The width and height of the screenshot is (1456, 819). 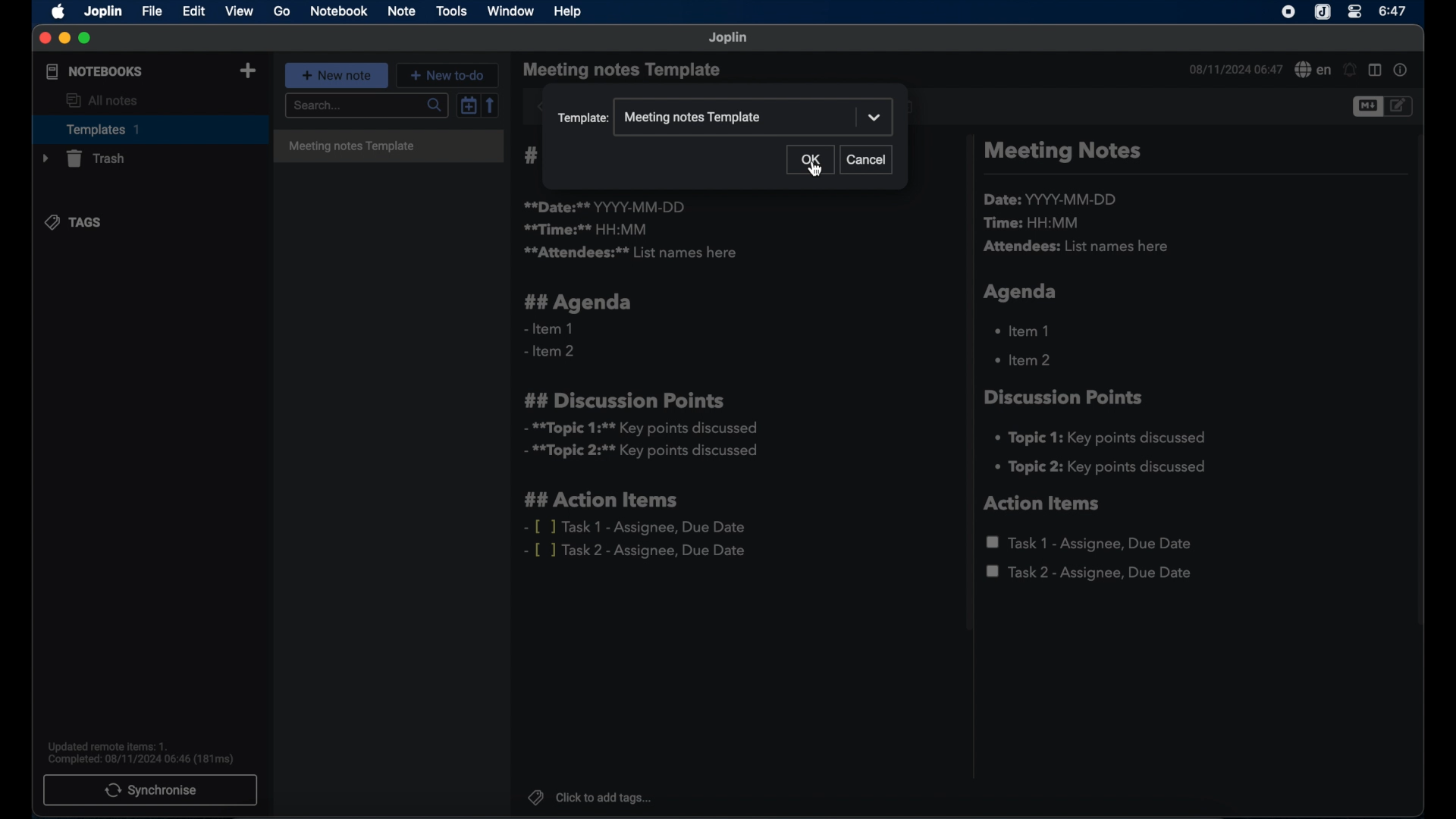 I want to click on cursor, so click(x=815, y=171).